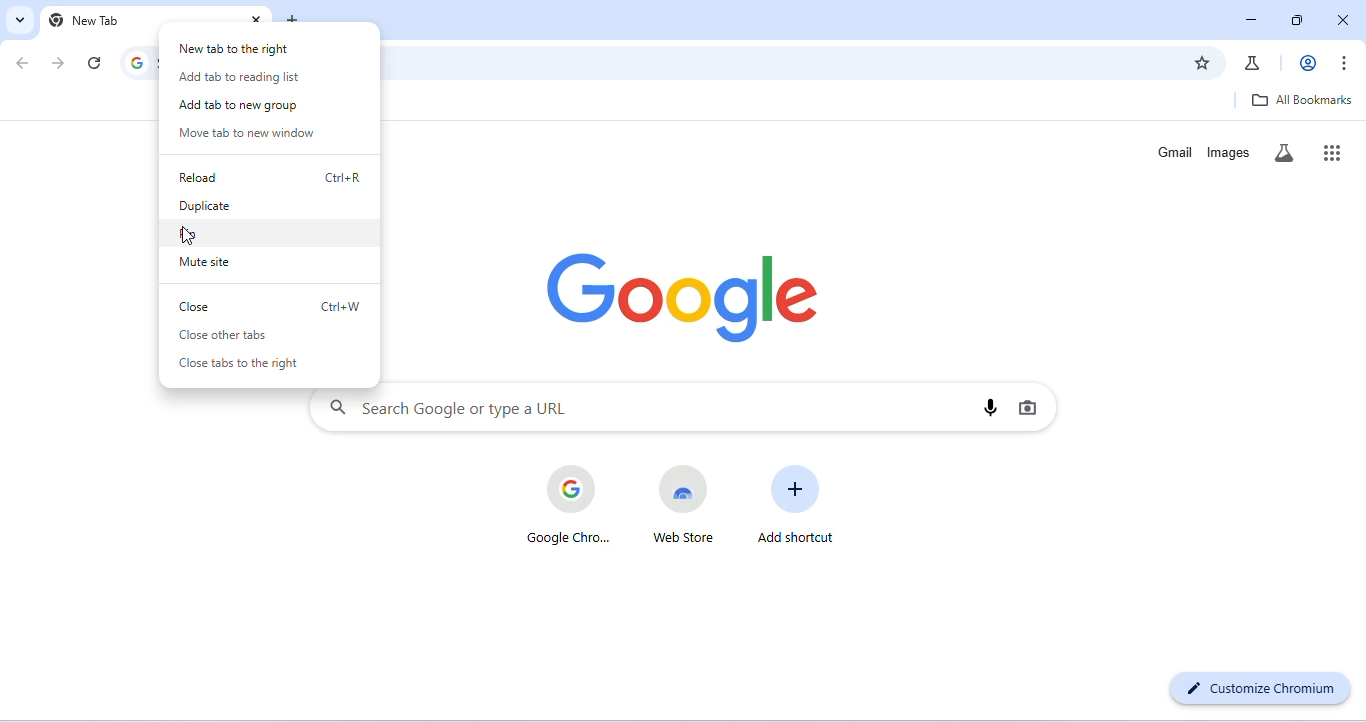 This screenshot has width=1366, height=722. What do you see at coordinates (793, 504) in the screenshot?
I see `add shortcut` at bounding box center [793, 504].